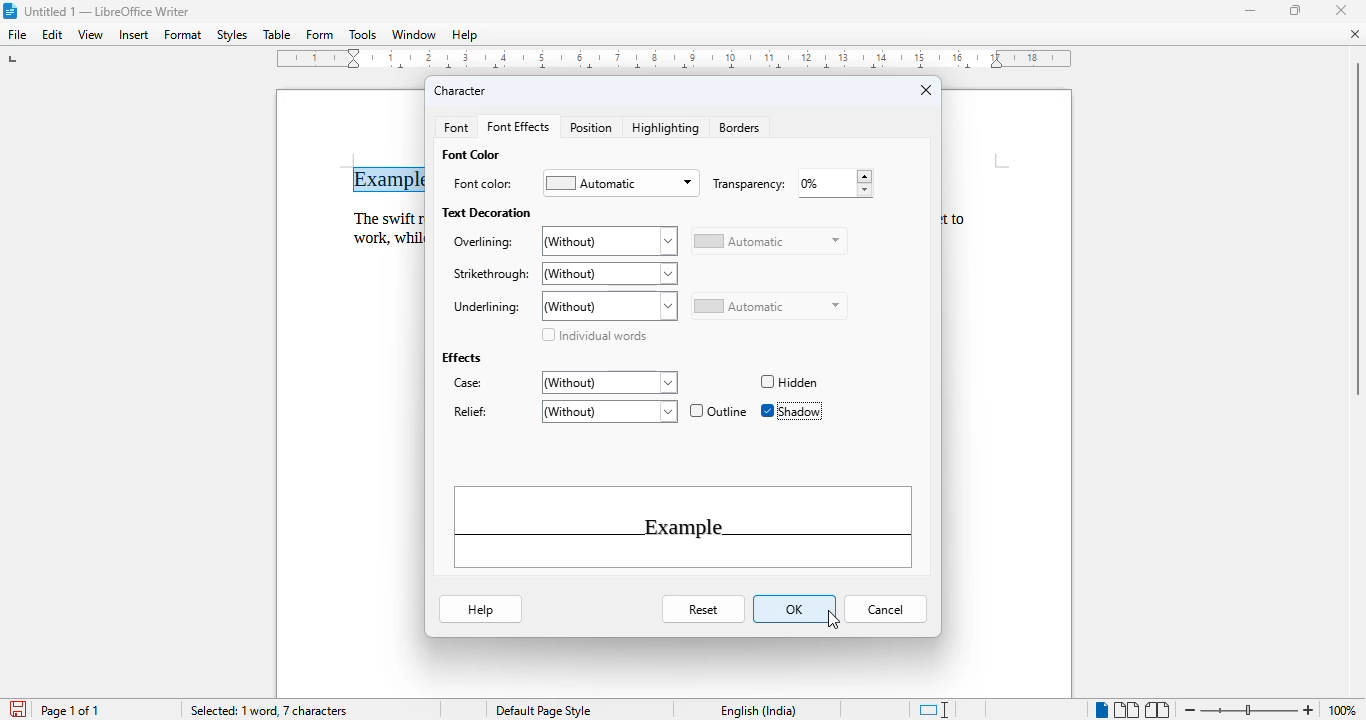 This screenshot has height=720, width=1366. Describe the element at coordinates (363, 34) in the screenshot. I see `tools` at that location.